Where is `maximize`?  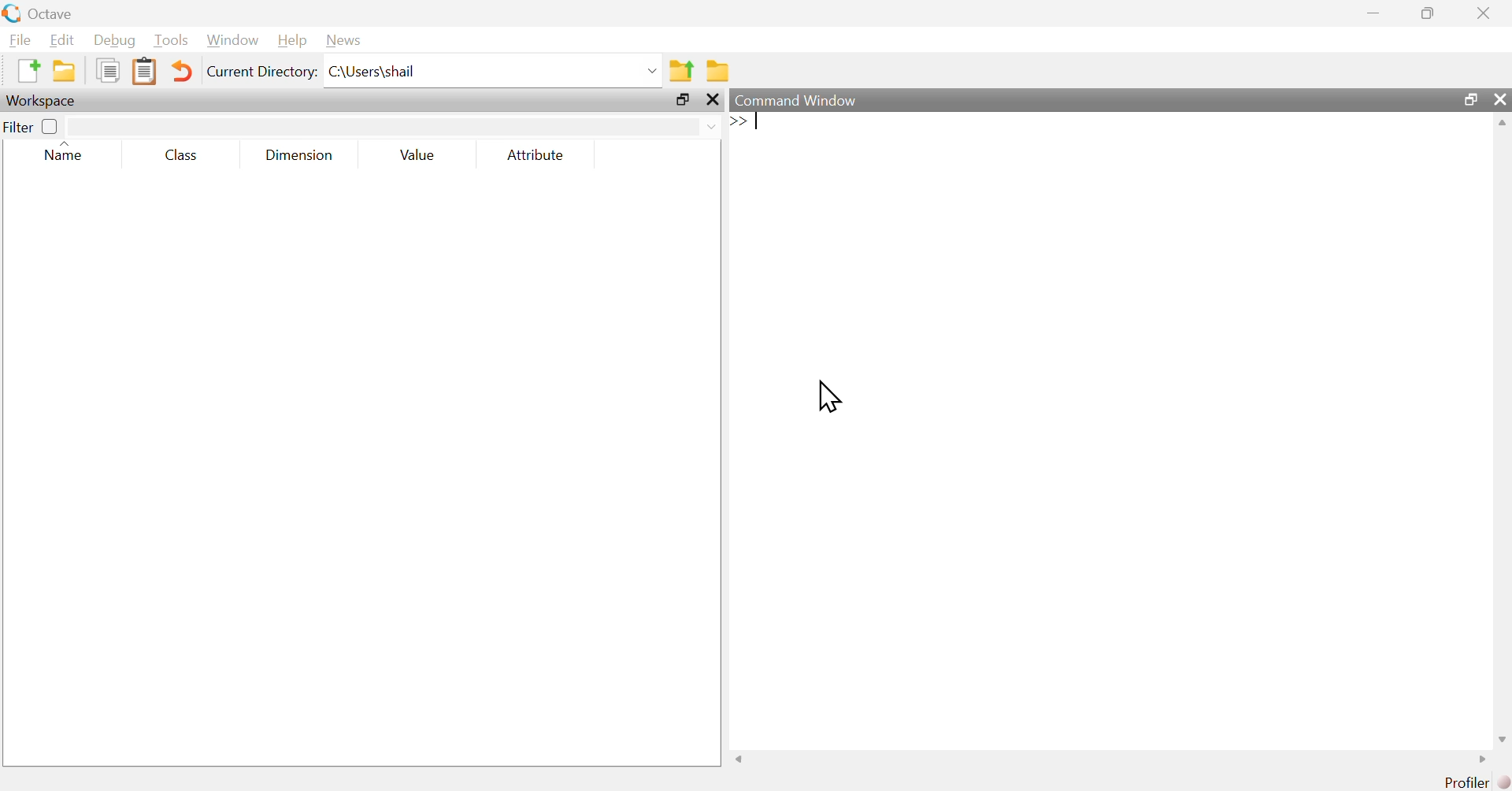 maximize is located at coordinates (1471, 100).